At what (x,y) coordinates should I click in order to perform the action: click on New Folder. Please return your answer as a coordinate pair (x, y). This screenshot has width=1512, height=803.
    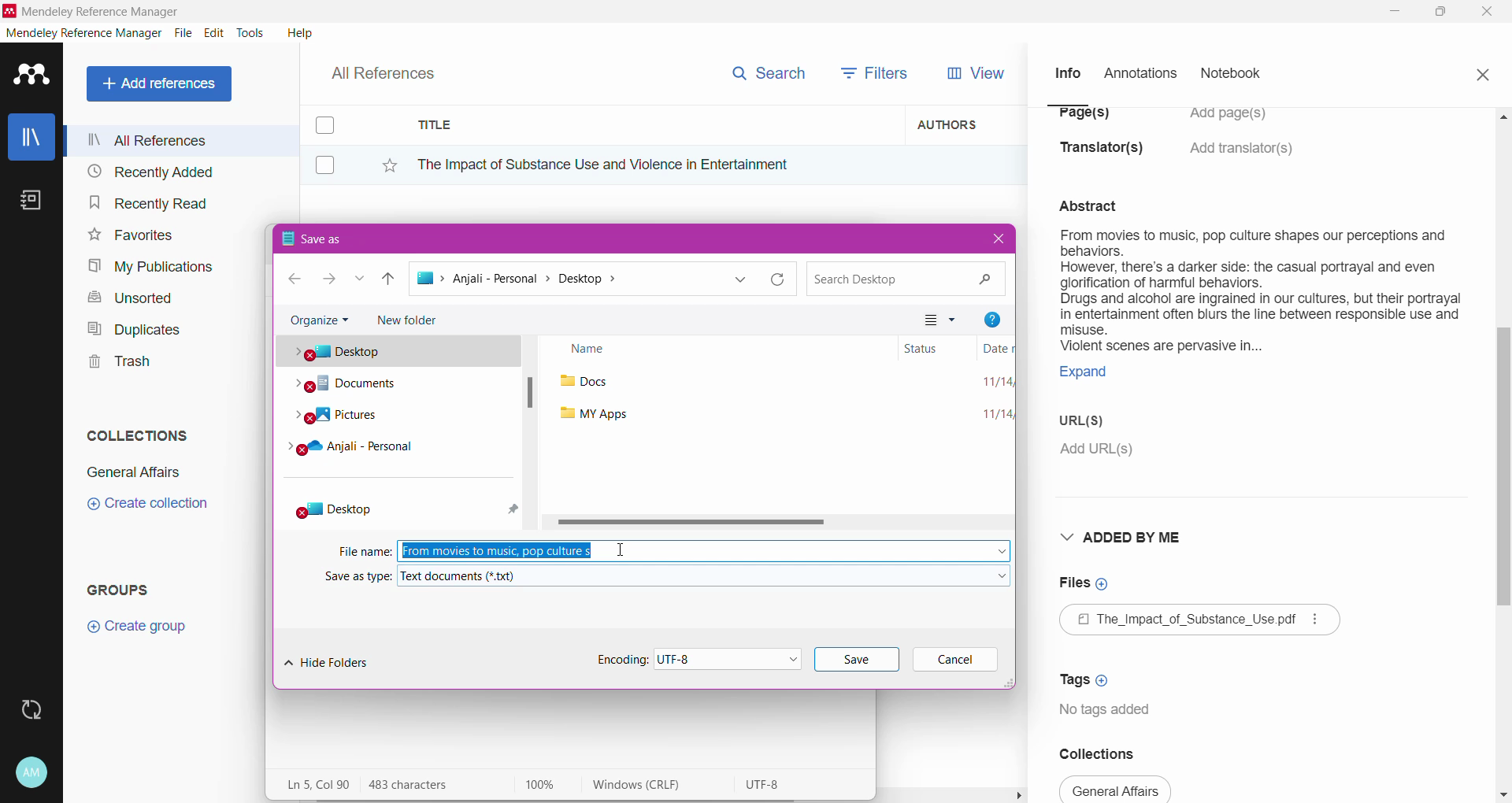
    Looking at the image, I should click on (414, 322).